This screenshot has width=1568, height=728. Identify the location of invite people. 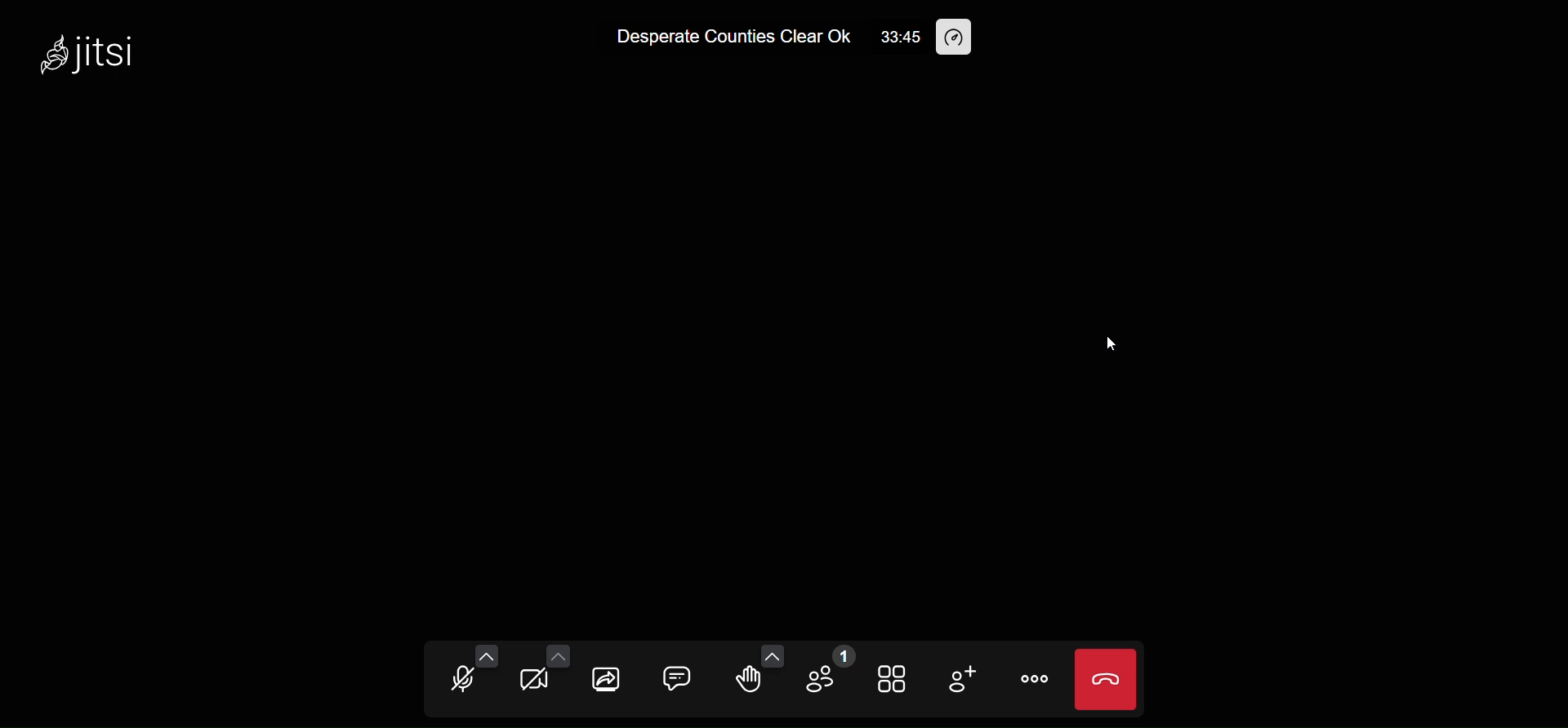
(962, 678).